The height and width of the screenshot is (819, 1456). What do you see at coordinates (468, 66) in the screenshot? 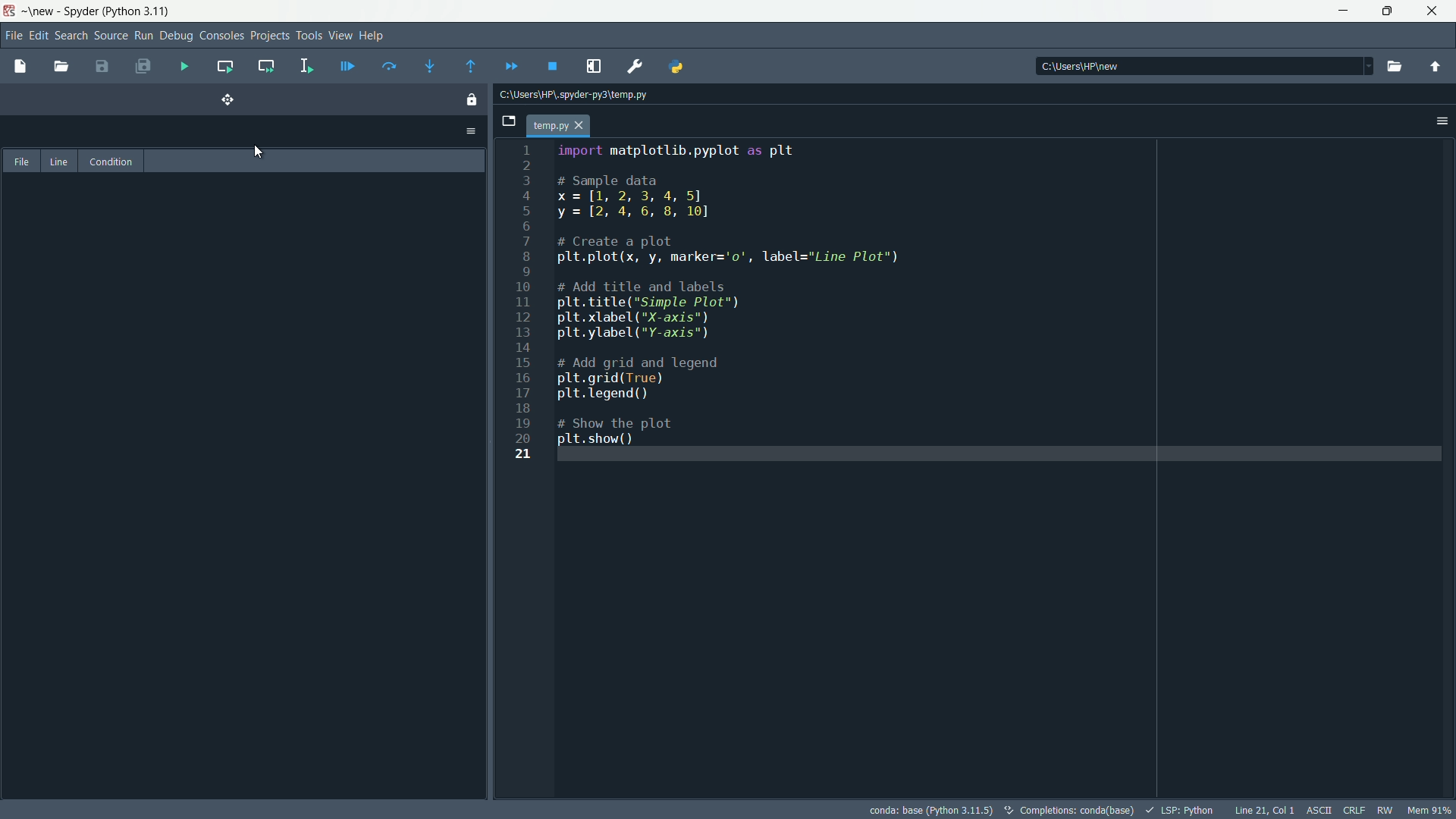
I see `continue execution untill function` at bounding box center [468, 66].